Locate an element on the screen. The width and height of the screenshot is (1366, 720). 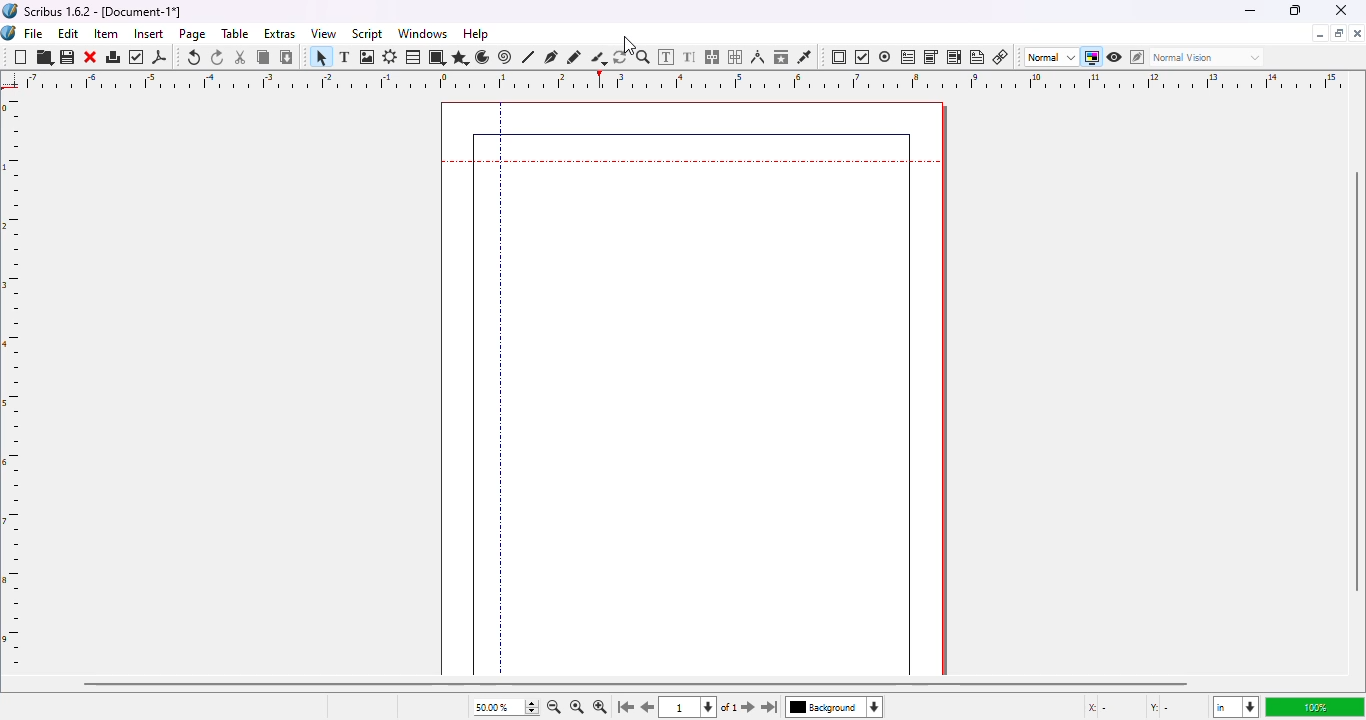
zoom in by the stepping value in tools preferences is located at coordinates (599, 708).